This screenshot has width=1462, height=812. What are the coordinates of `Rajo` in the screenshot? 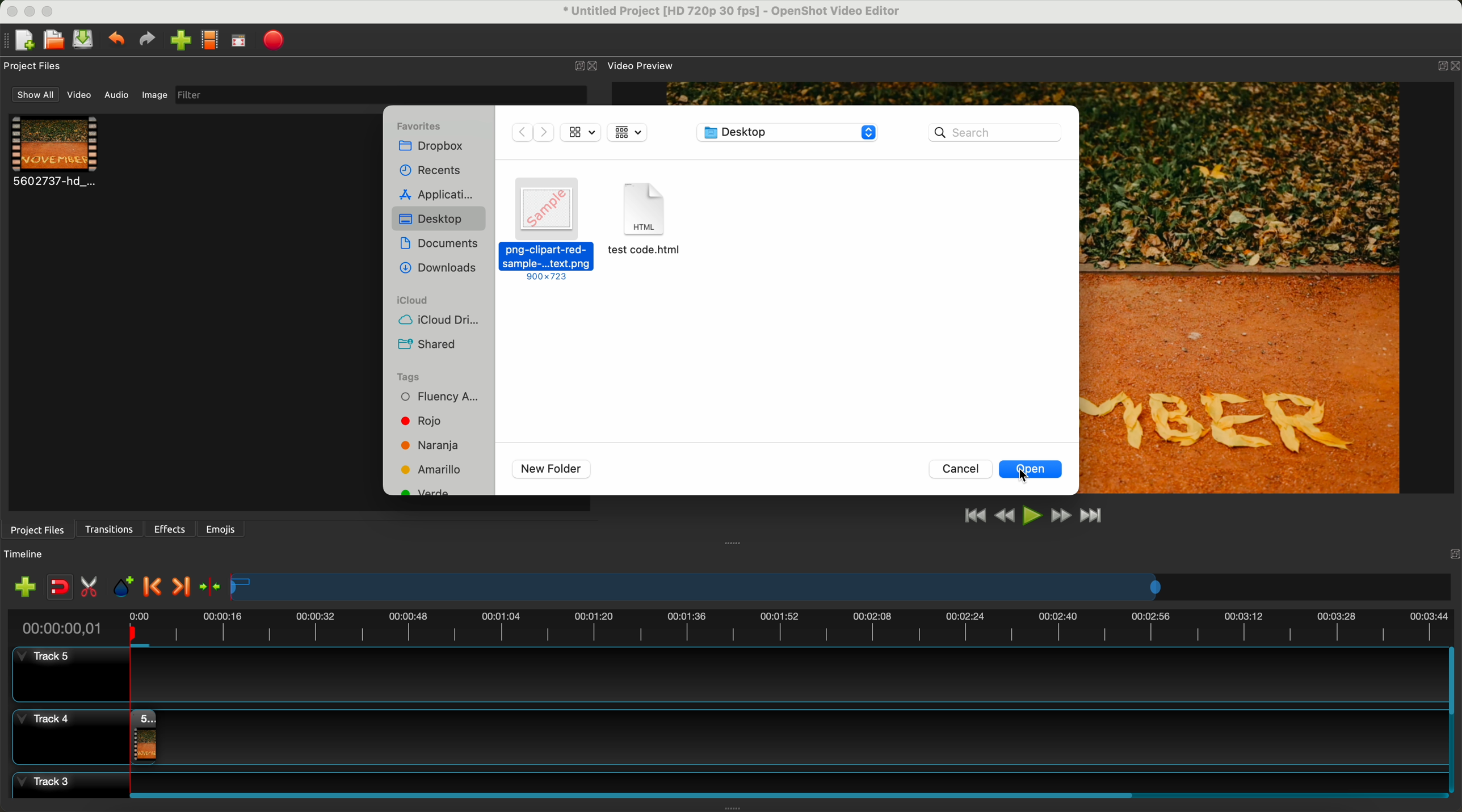 It's located at (436, 423).